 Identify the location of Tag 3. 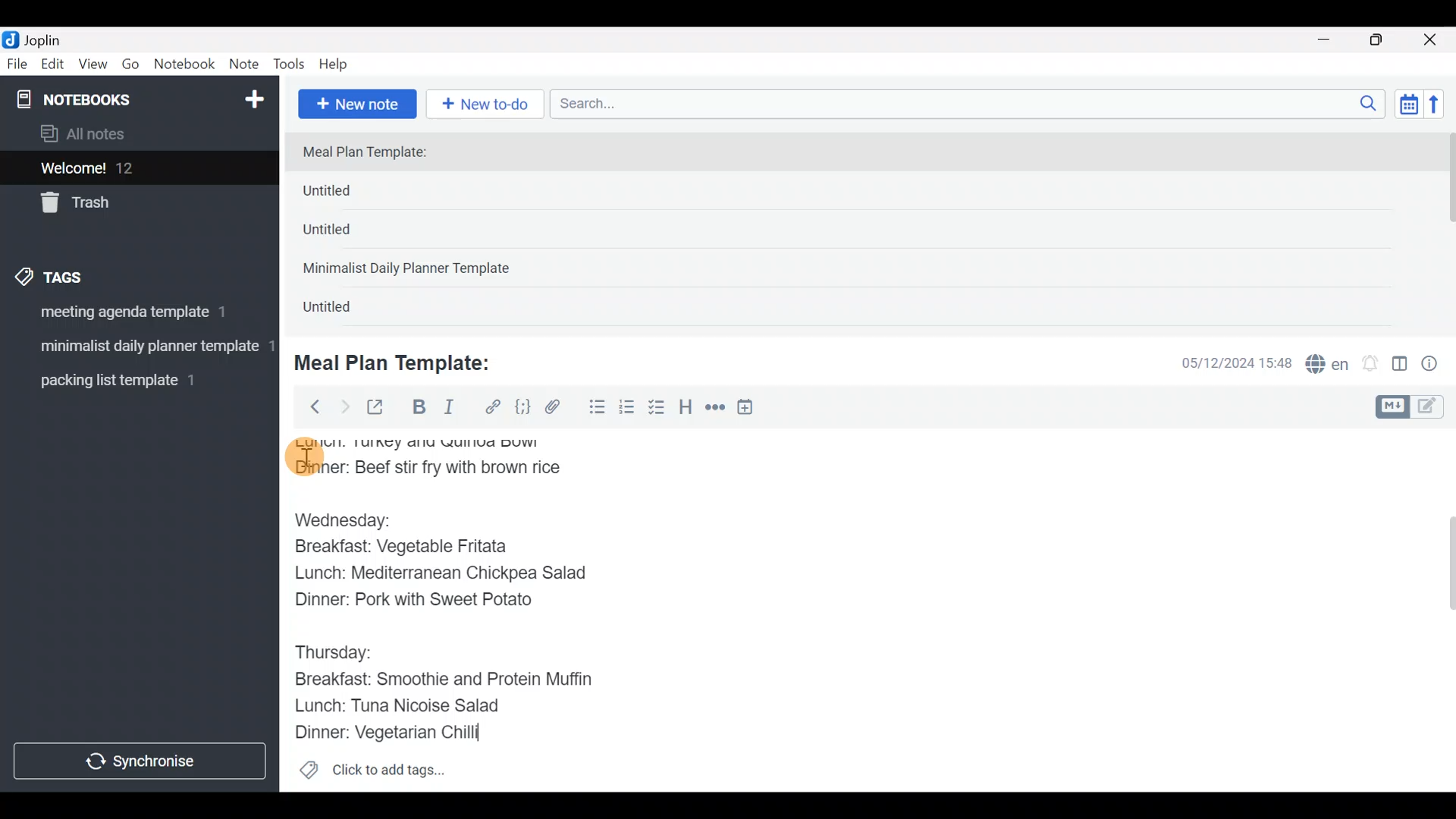
(134, 380).